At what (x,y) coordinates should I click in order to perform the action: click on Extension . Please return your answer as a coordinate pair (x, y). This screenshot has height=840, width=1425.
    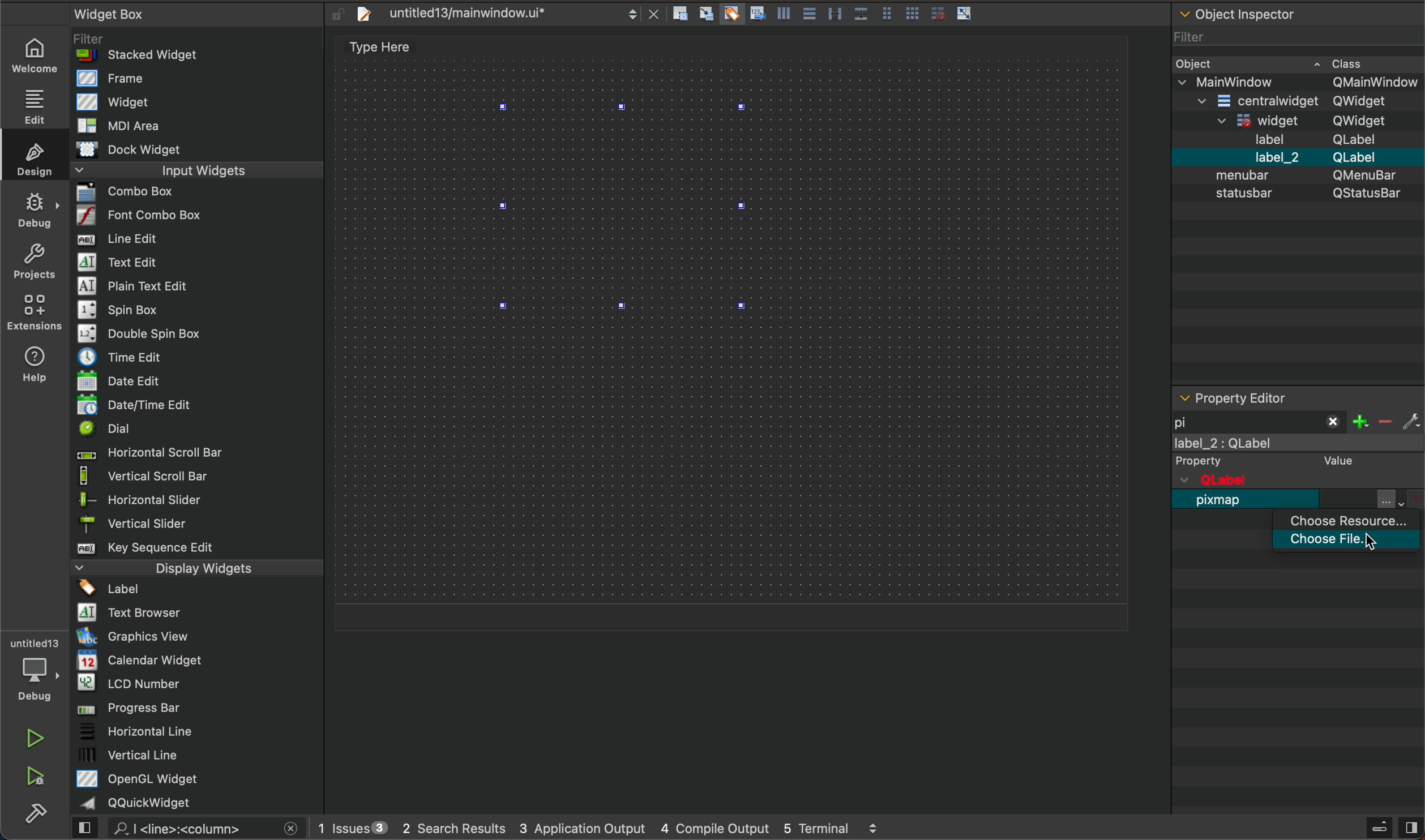
    Looking at the image, I should click on (34, 312).